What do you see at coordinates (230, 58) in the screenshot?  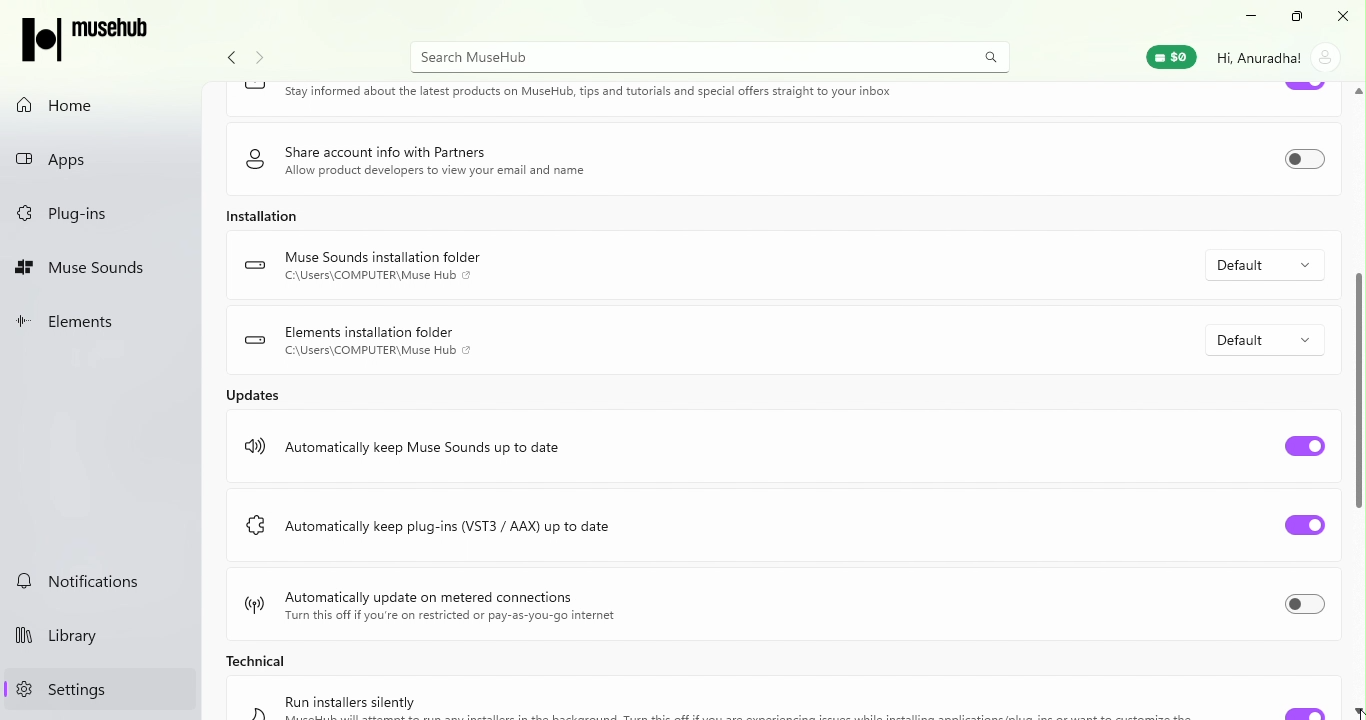 I see `Navigate back` at bounding box center [230, 58].